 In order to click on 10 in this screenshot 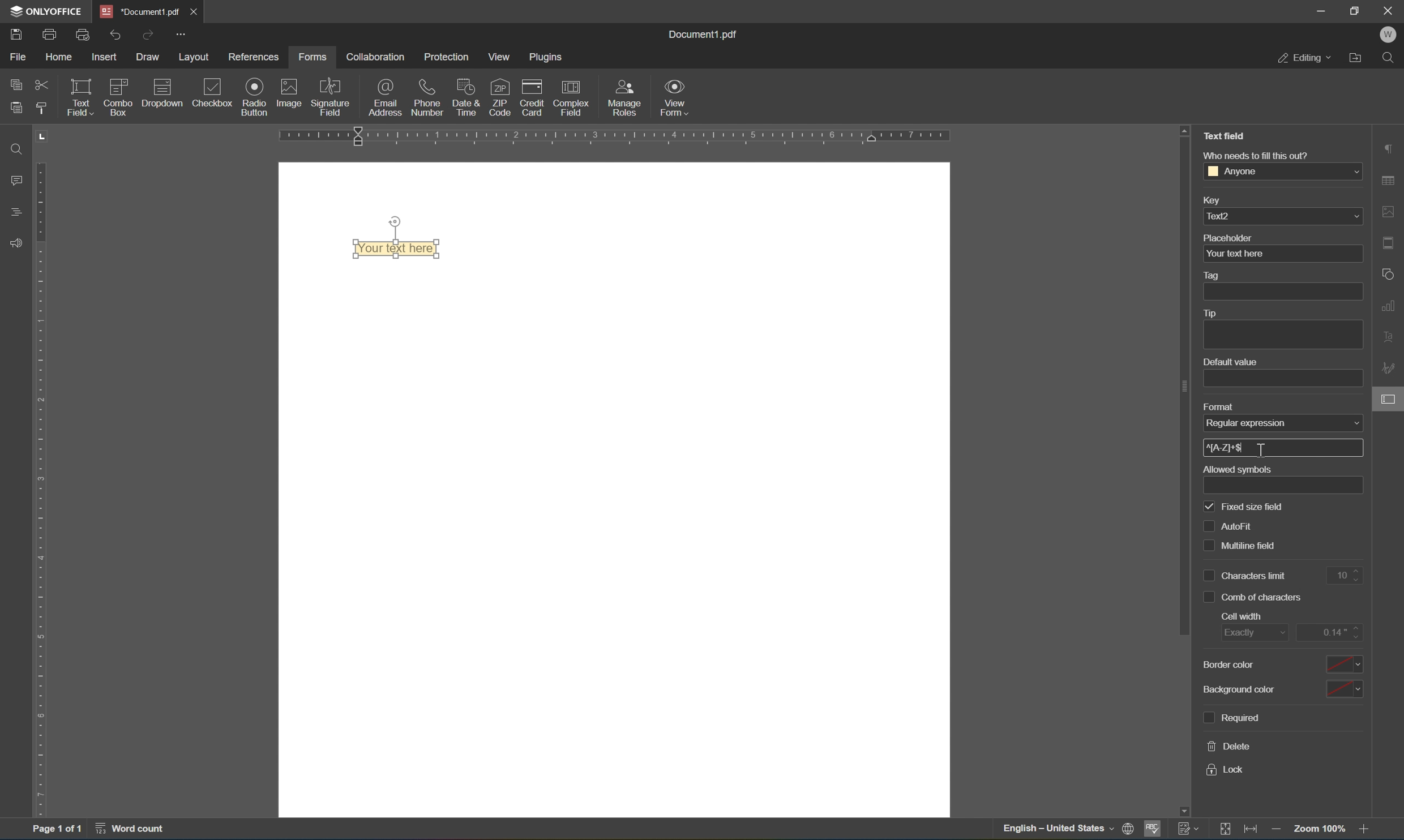, I will do `click(1345, 576)`.